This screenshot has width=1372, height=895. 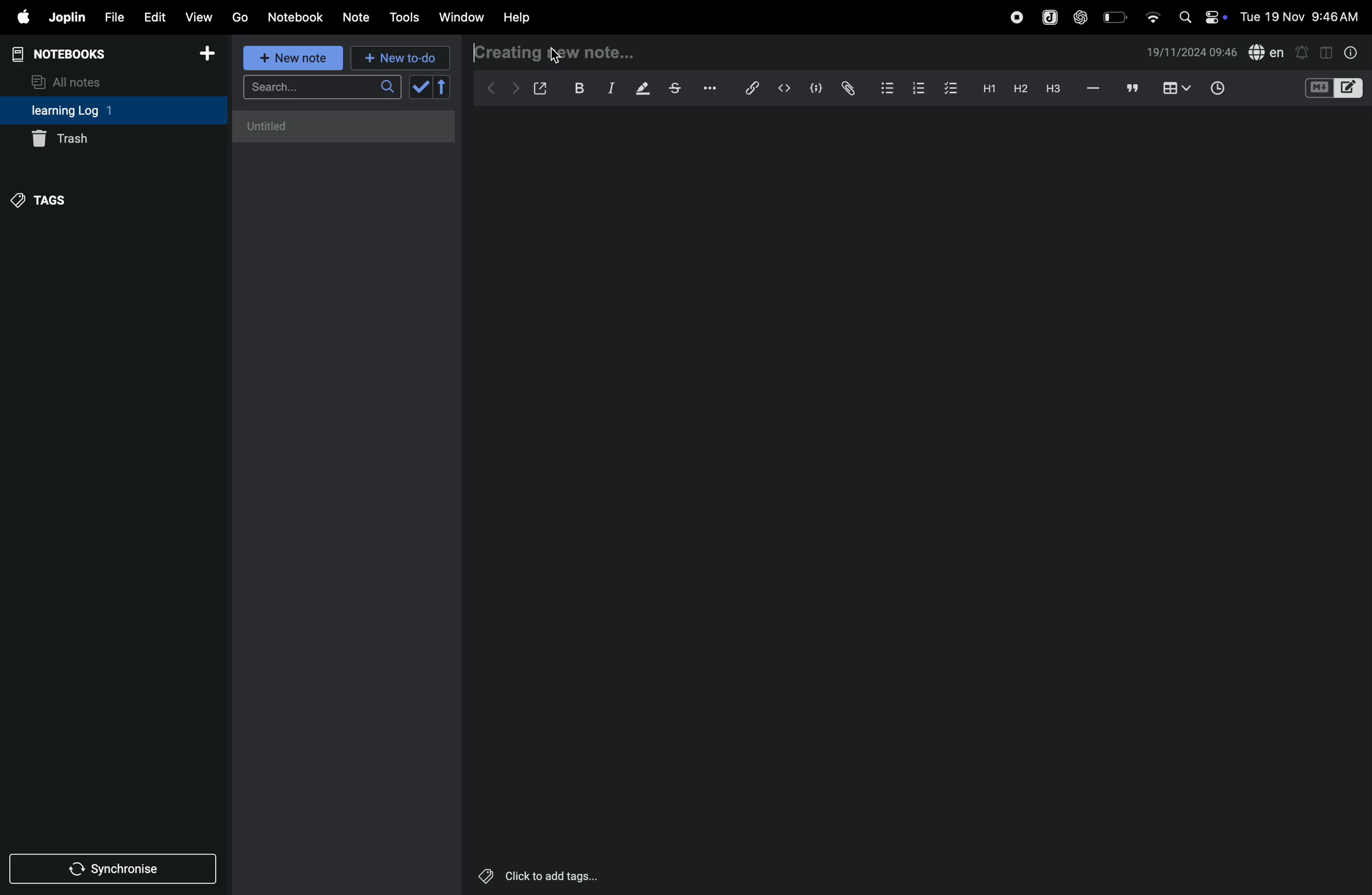 I want to click on backward, so click(x=492, y=87).